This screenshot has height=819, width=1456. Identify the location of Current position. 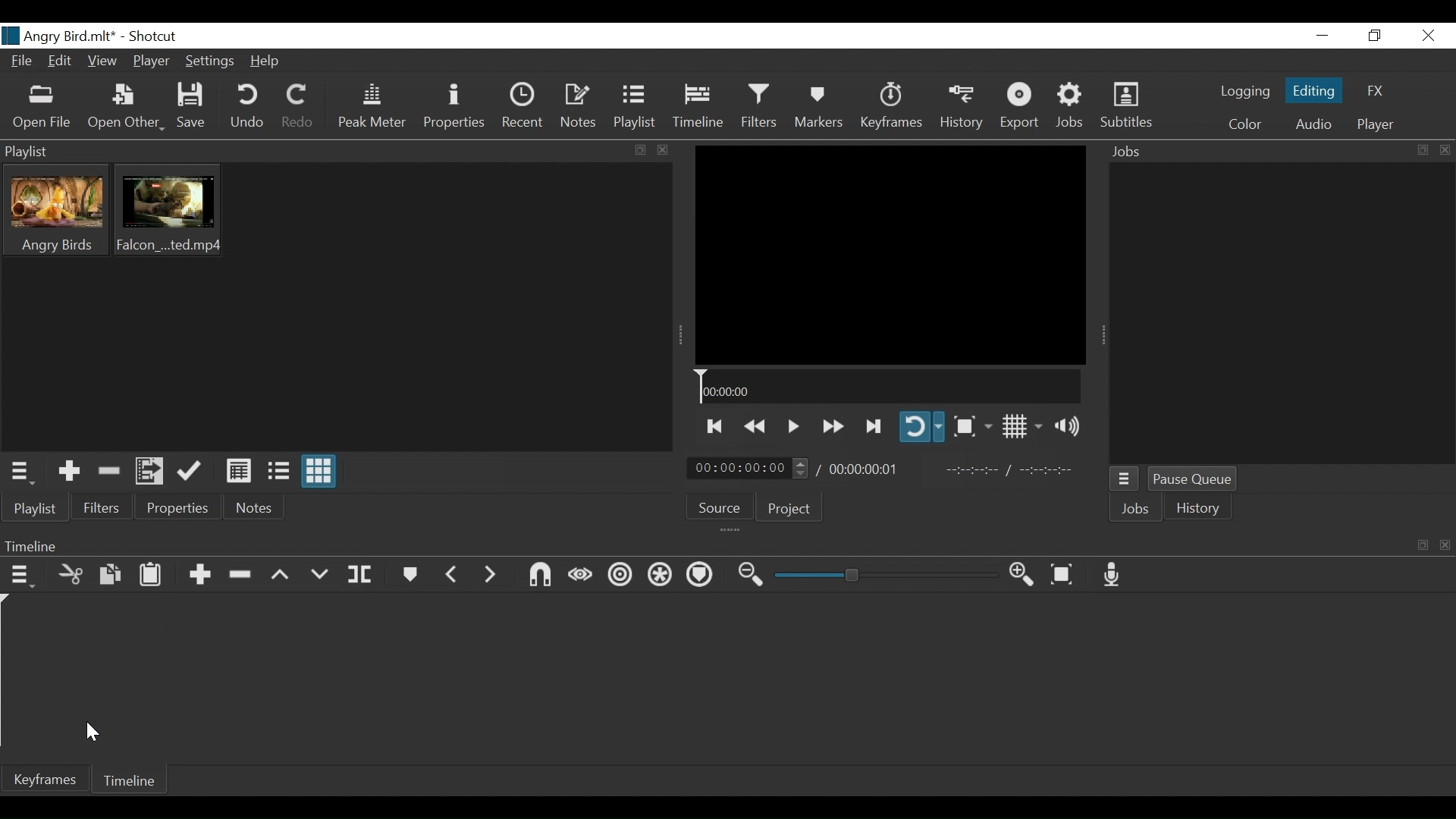
(748, 468).